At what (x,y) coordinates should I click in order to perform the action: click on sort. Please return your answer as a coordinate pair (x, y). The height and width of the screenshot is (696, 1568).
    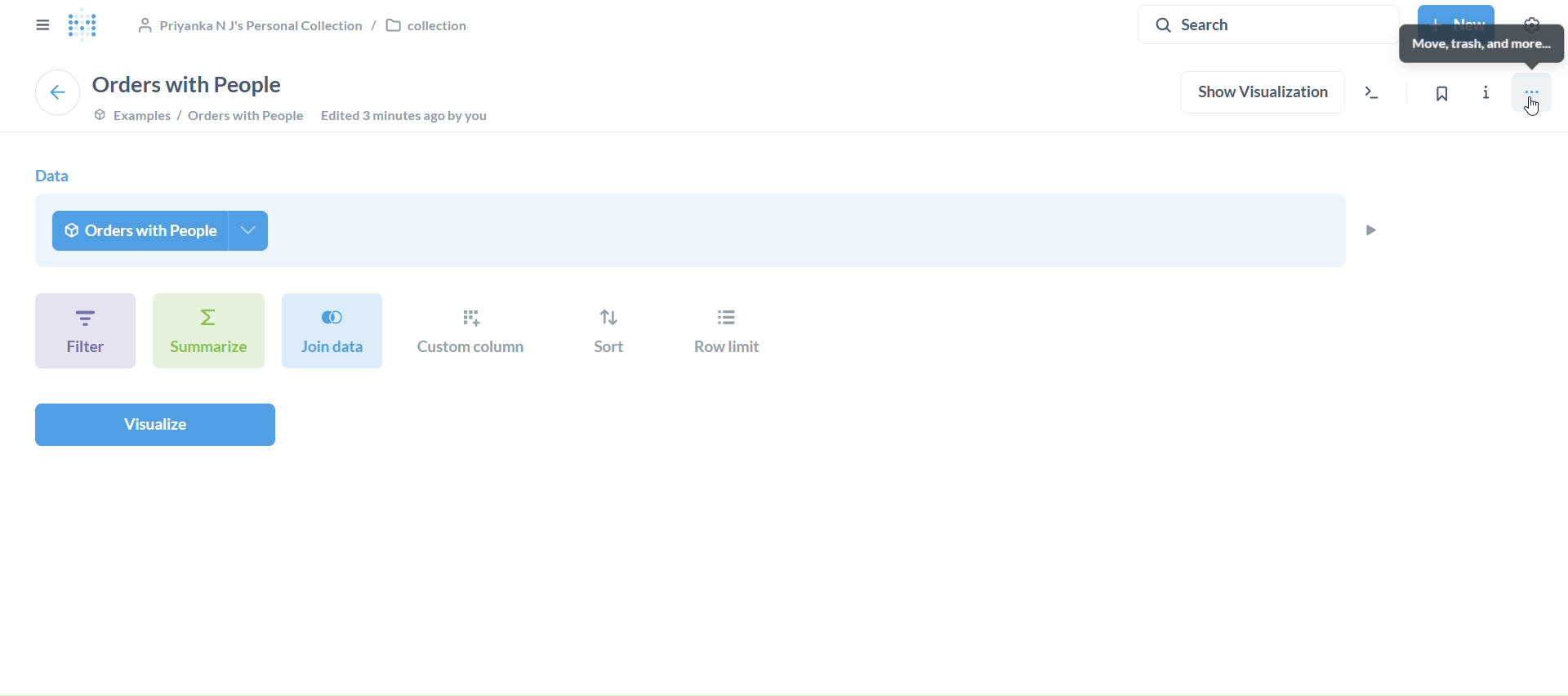
    Looking at the image, I should click on (611, 331).